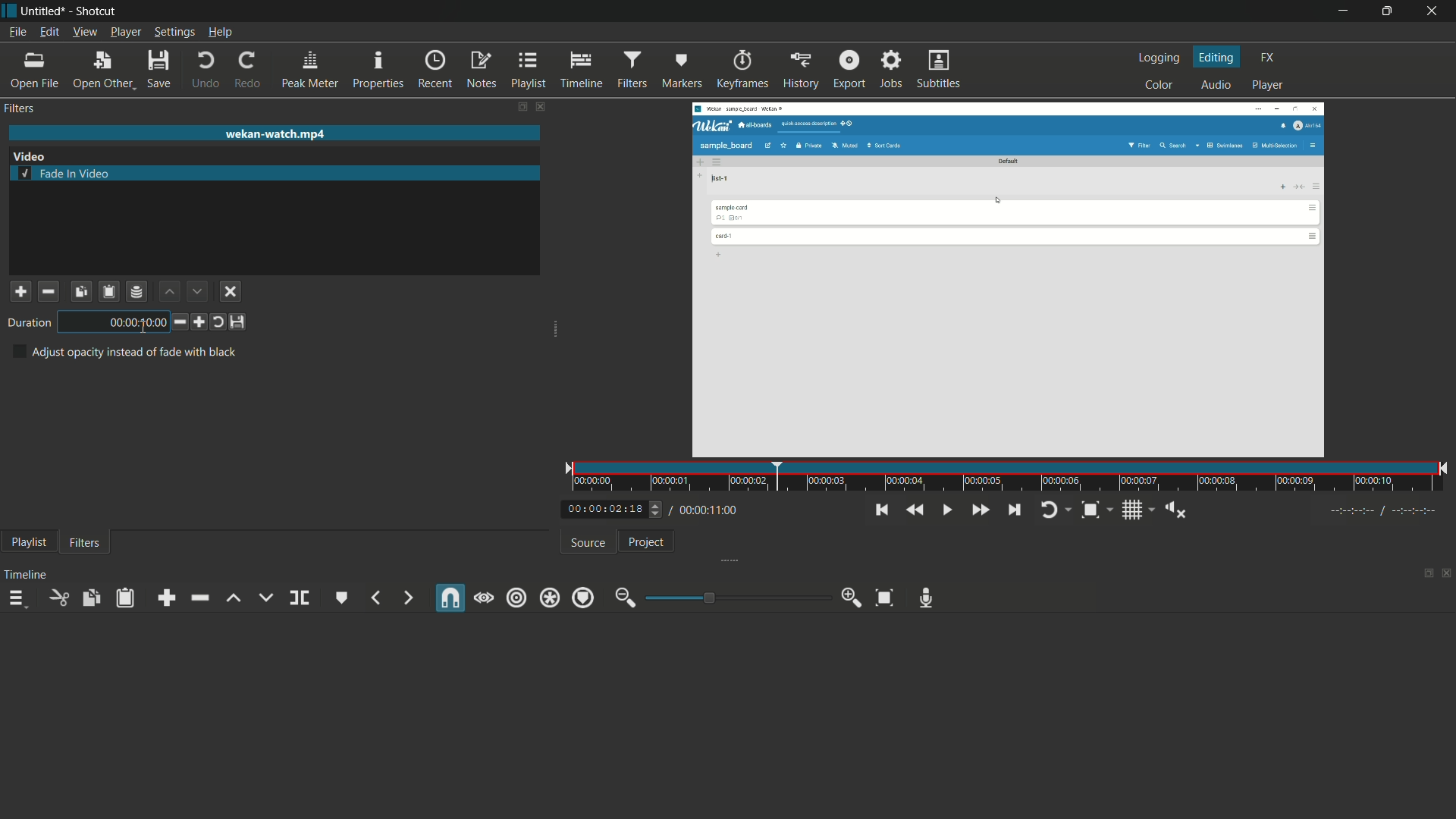 This screenshot has height=819, width=1456. Describe the element at coordinates (1012, 279) in the screenshot. I see `imported video` at that location.